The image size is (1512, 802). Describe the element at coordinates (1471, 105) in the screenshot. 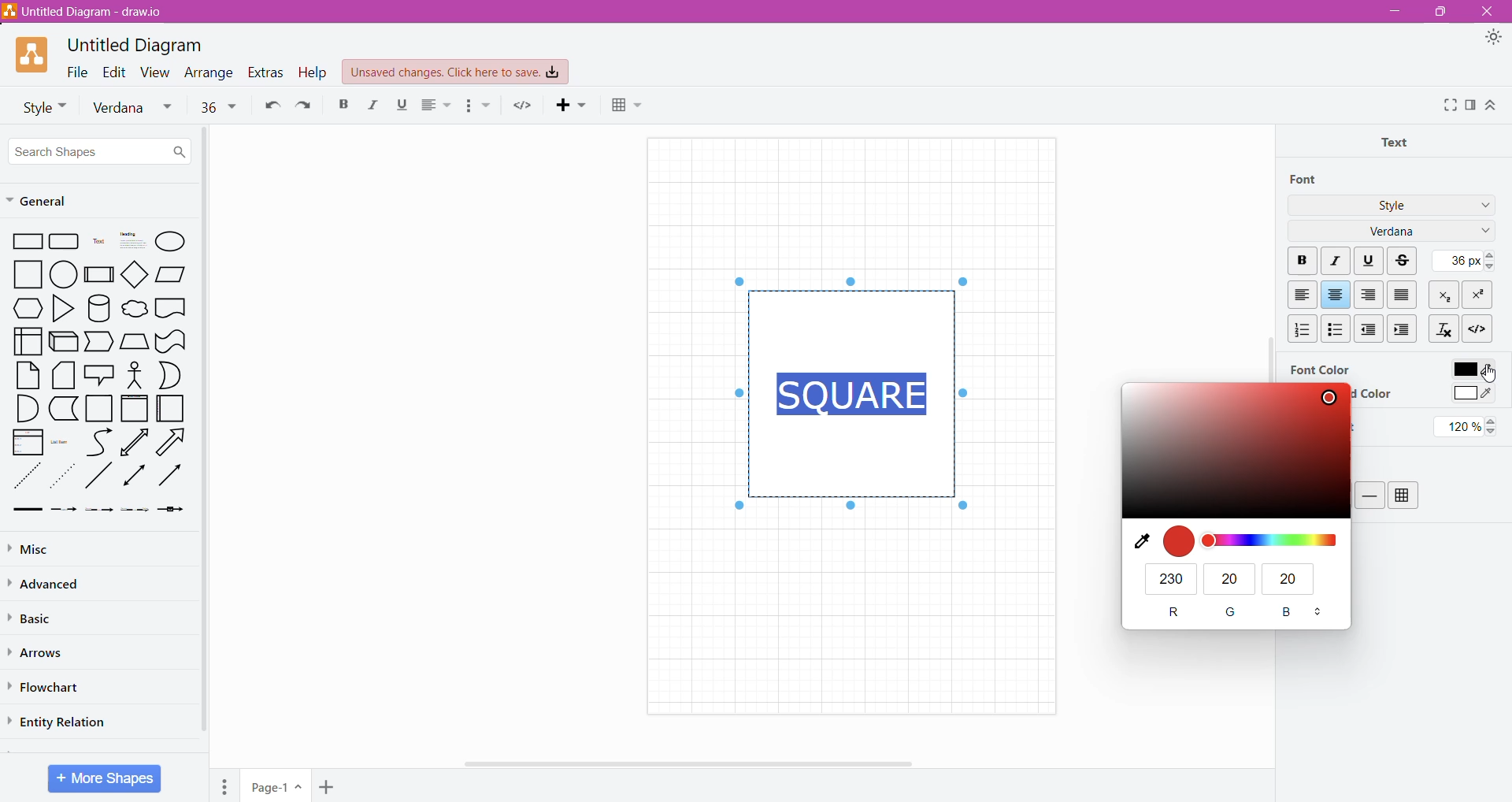

I see `Format` at that location.